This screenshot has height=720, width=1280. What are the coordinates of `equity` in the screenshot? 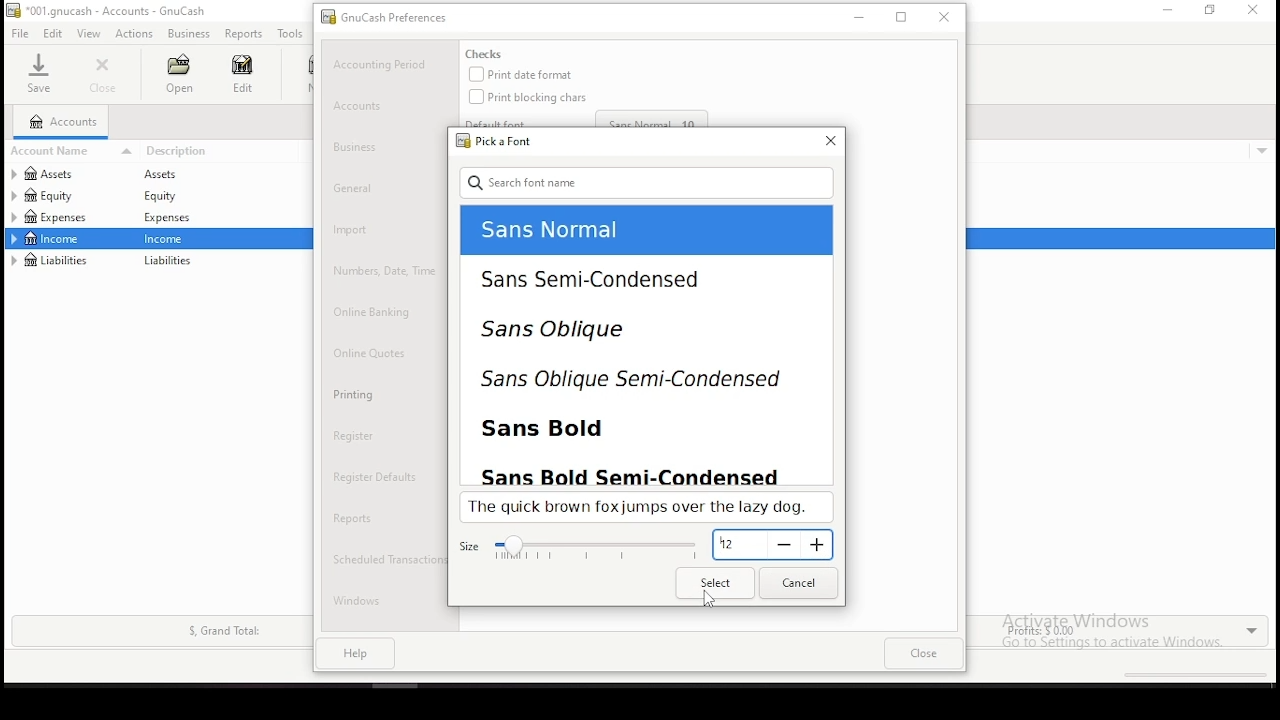 It's located at (49, 195).